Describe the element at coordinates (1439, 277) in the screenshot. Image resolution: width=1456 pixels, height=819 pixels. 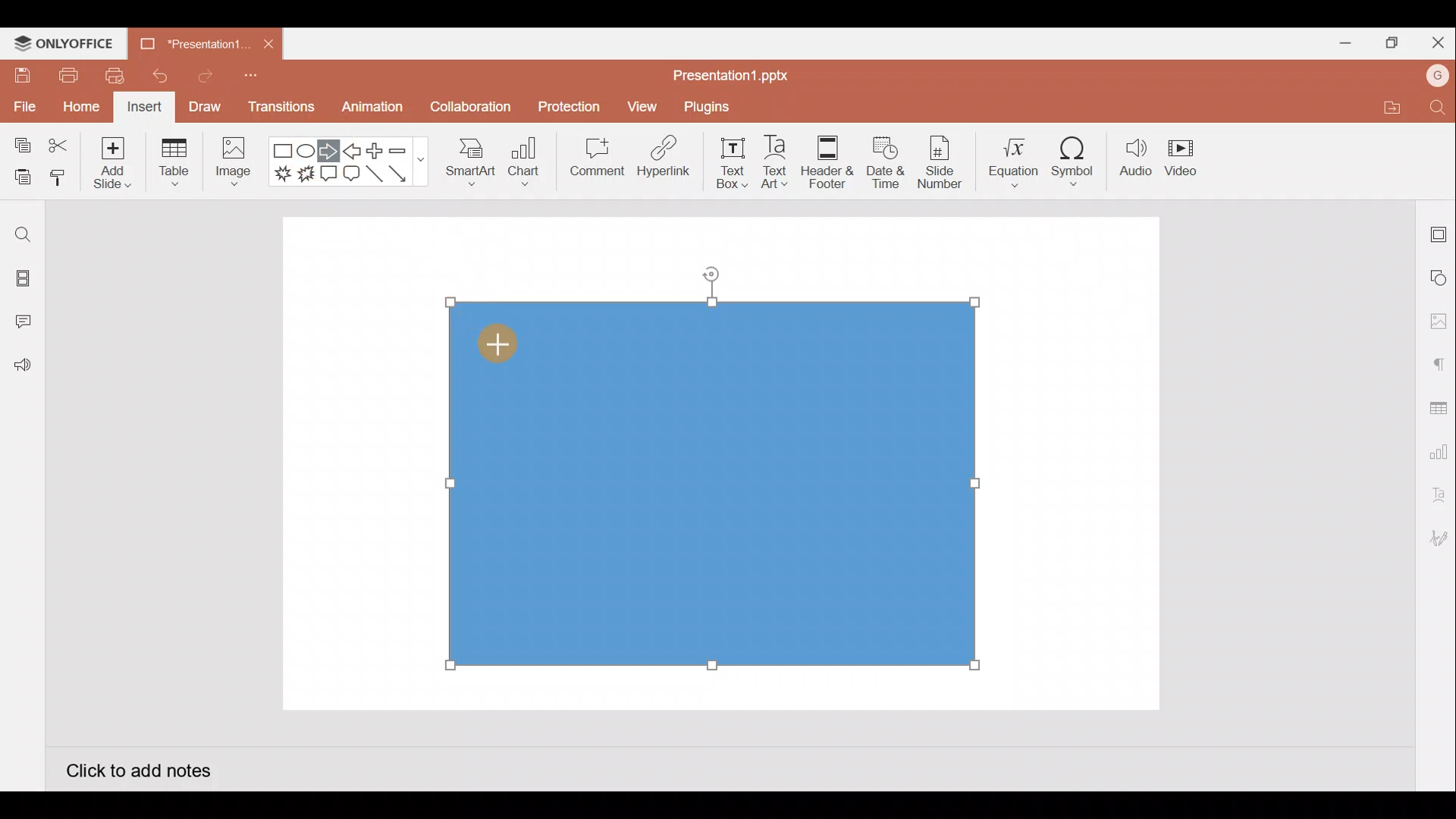
I see `Shape settings` at that location.